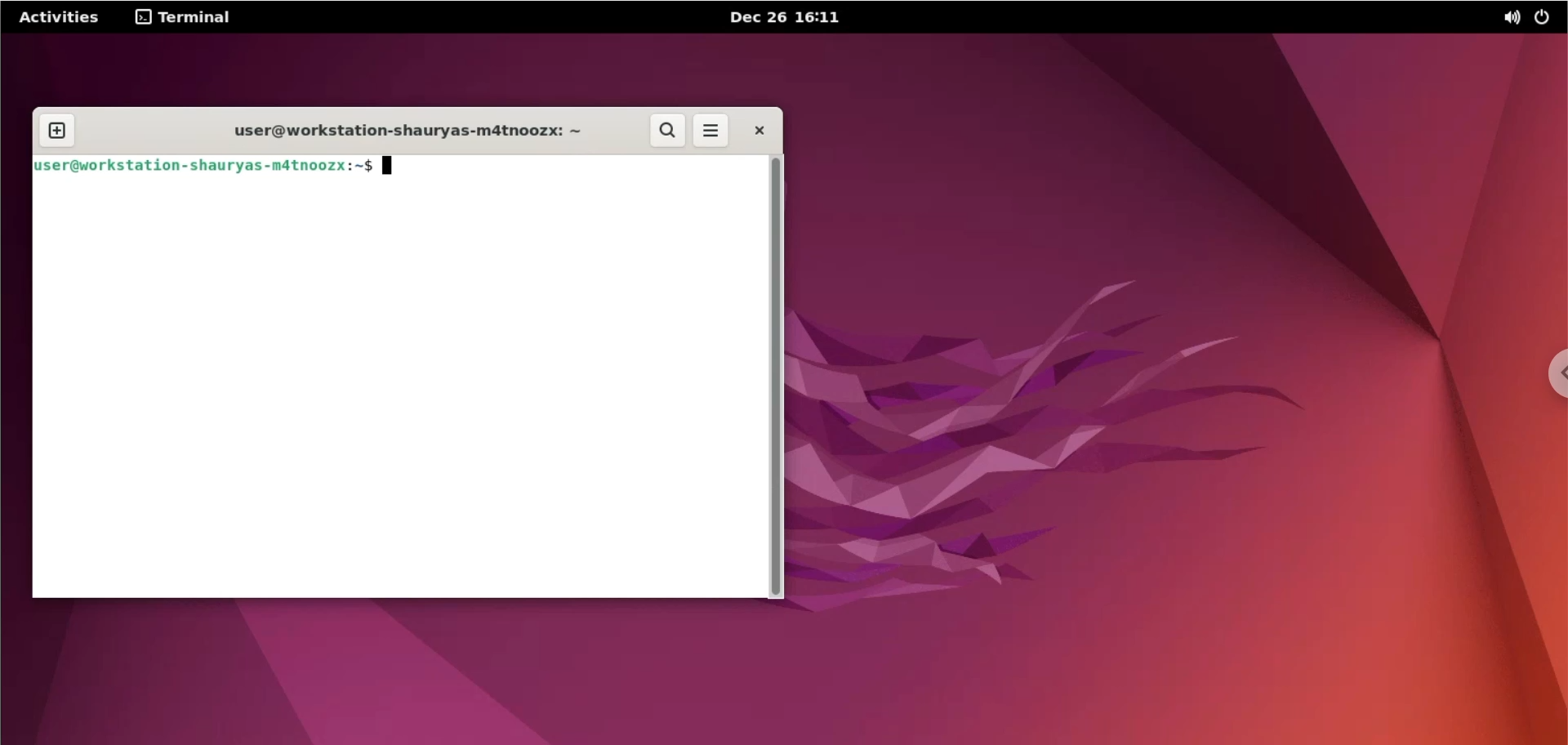 Image resolution: width=1568 pixels, height=745 pixels. Describe the element at coordinates (393, 169) in the screenshot. I see `cursor` at that location.